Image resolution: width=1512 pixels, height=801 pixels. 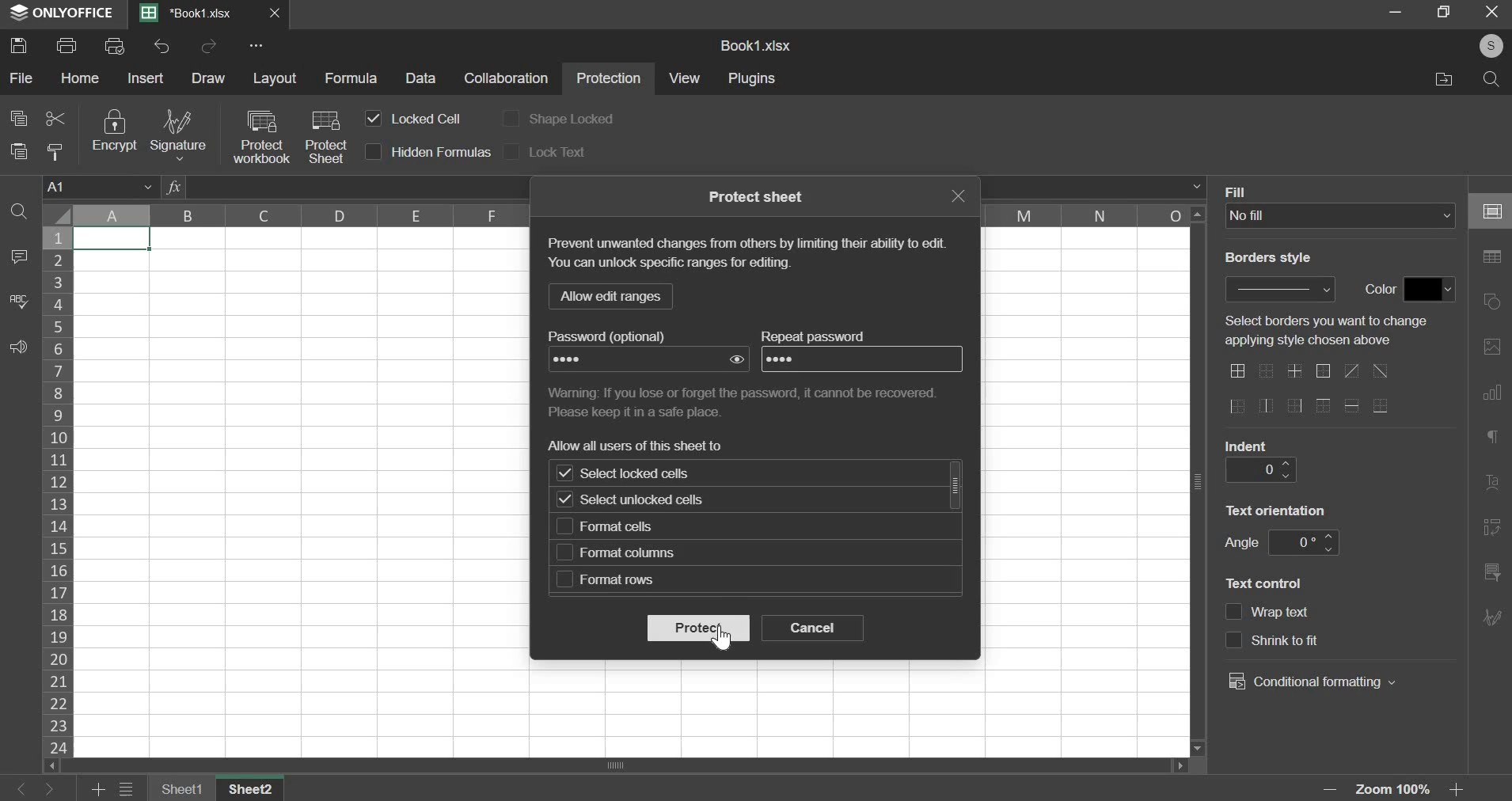 I want to click on Fill, so click(x=1239, y=191).